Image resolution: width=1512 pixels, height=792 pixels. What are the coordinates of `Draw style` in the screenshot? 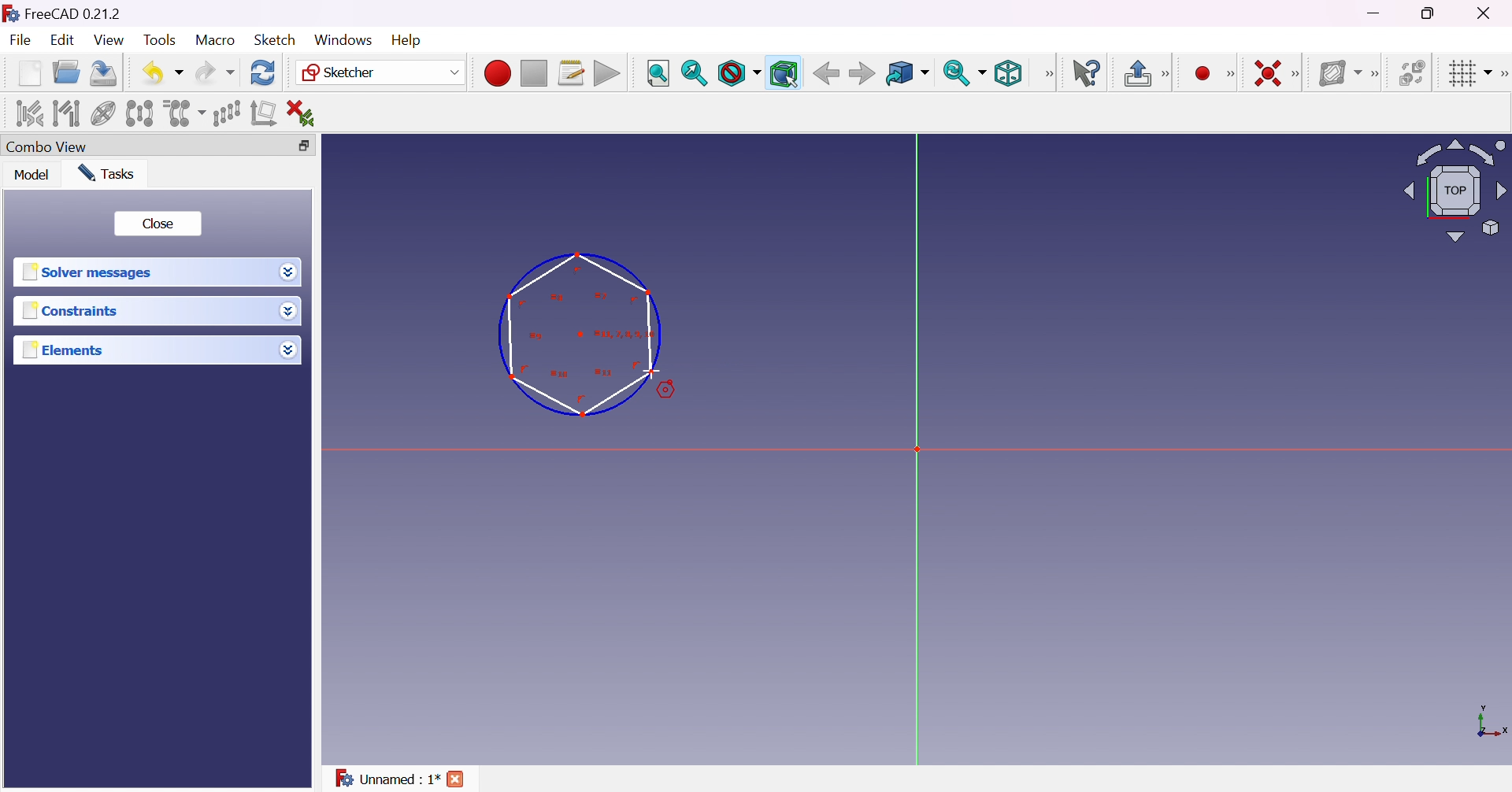 It's located at (738, 73).